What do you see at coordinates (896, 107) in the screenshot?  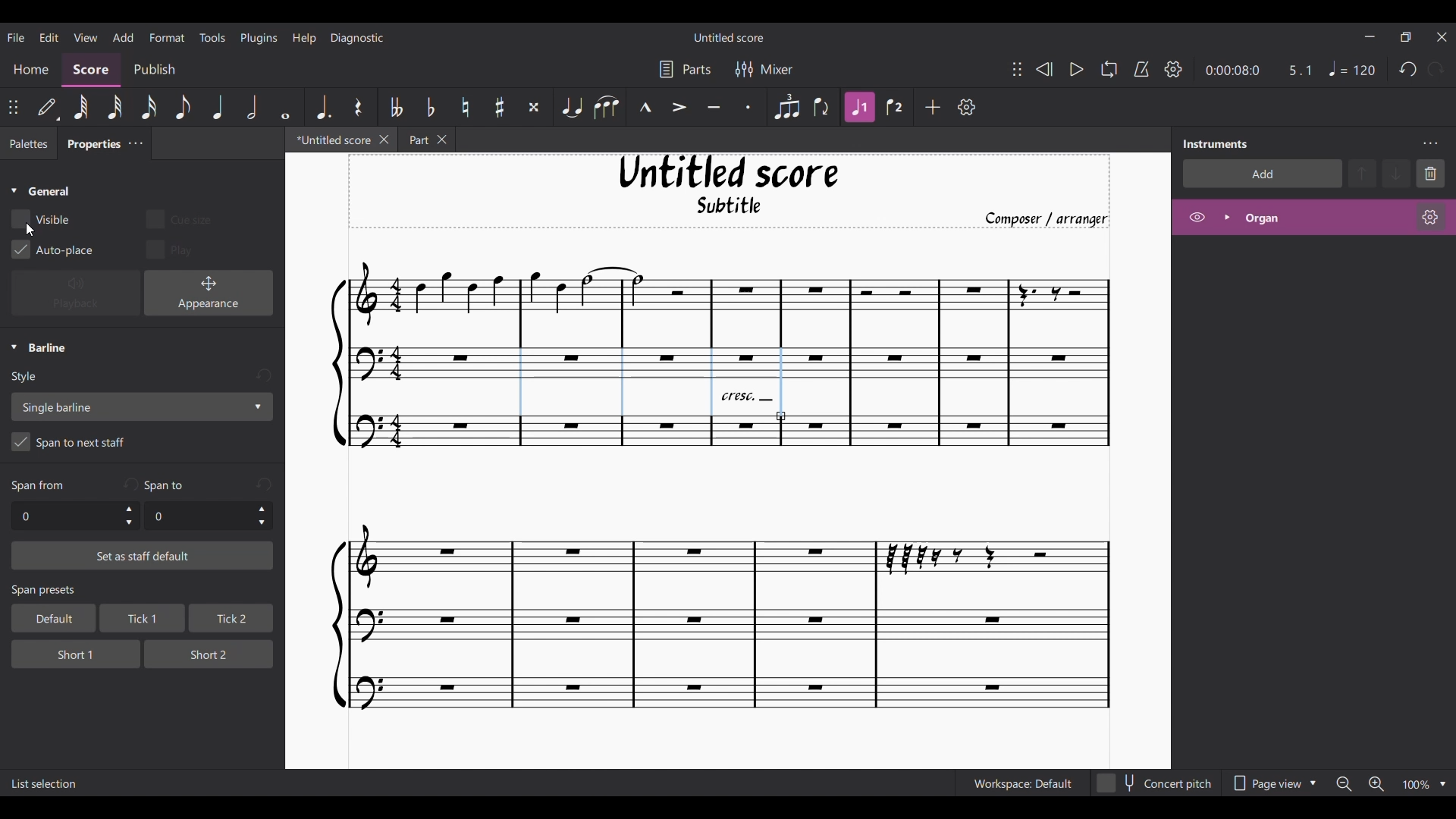 I see `Voice 2` at bounding box center [896, 107].